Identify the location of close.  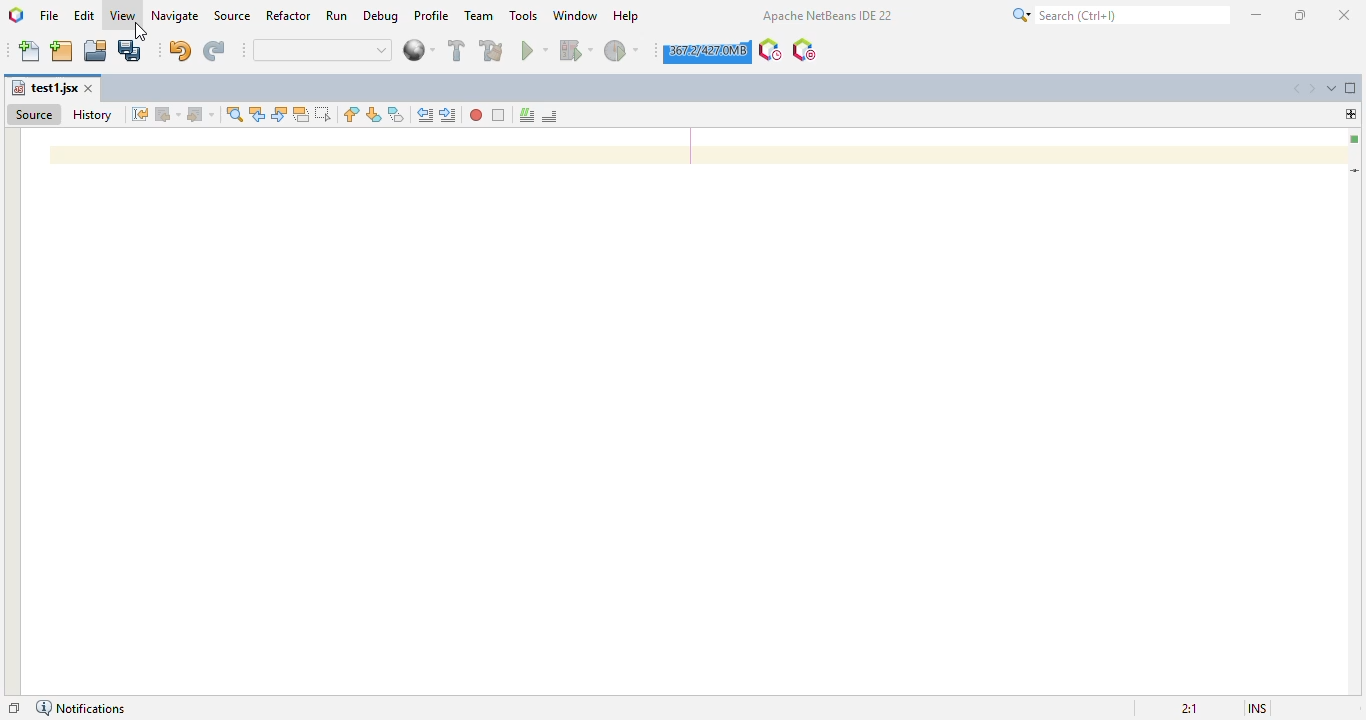
(1344, 15).